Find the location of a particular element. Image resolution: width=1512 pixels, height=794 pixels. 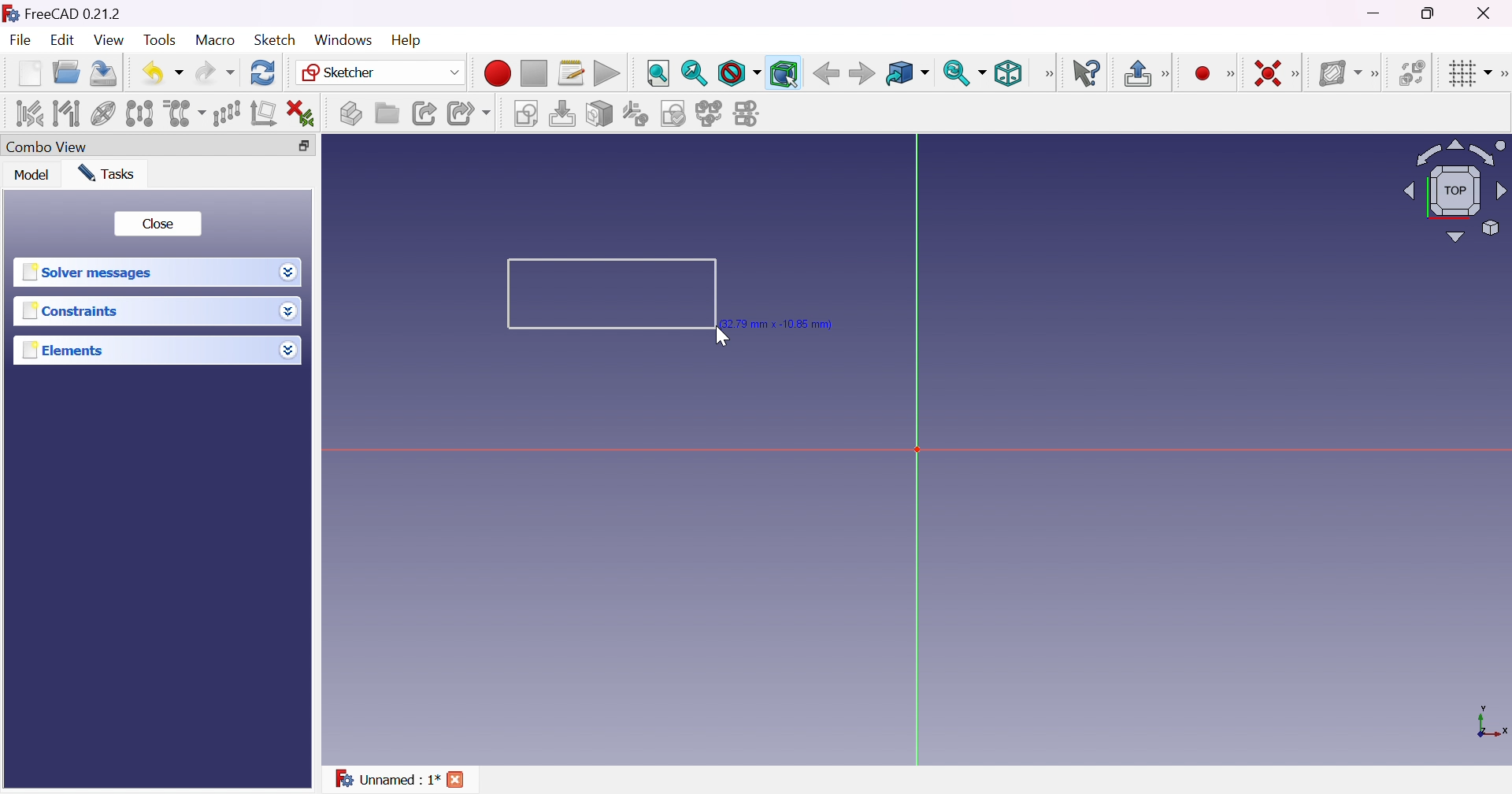

Mirror sketch... is located at coordinates (748, 113).